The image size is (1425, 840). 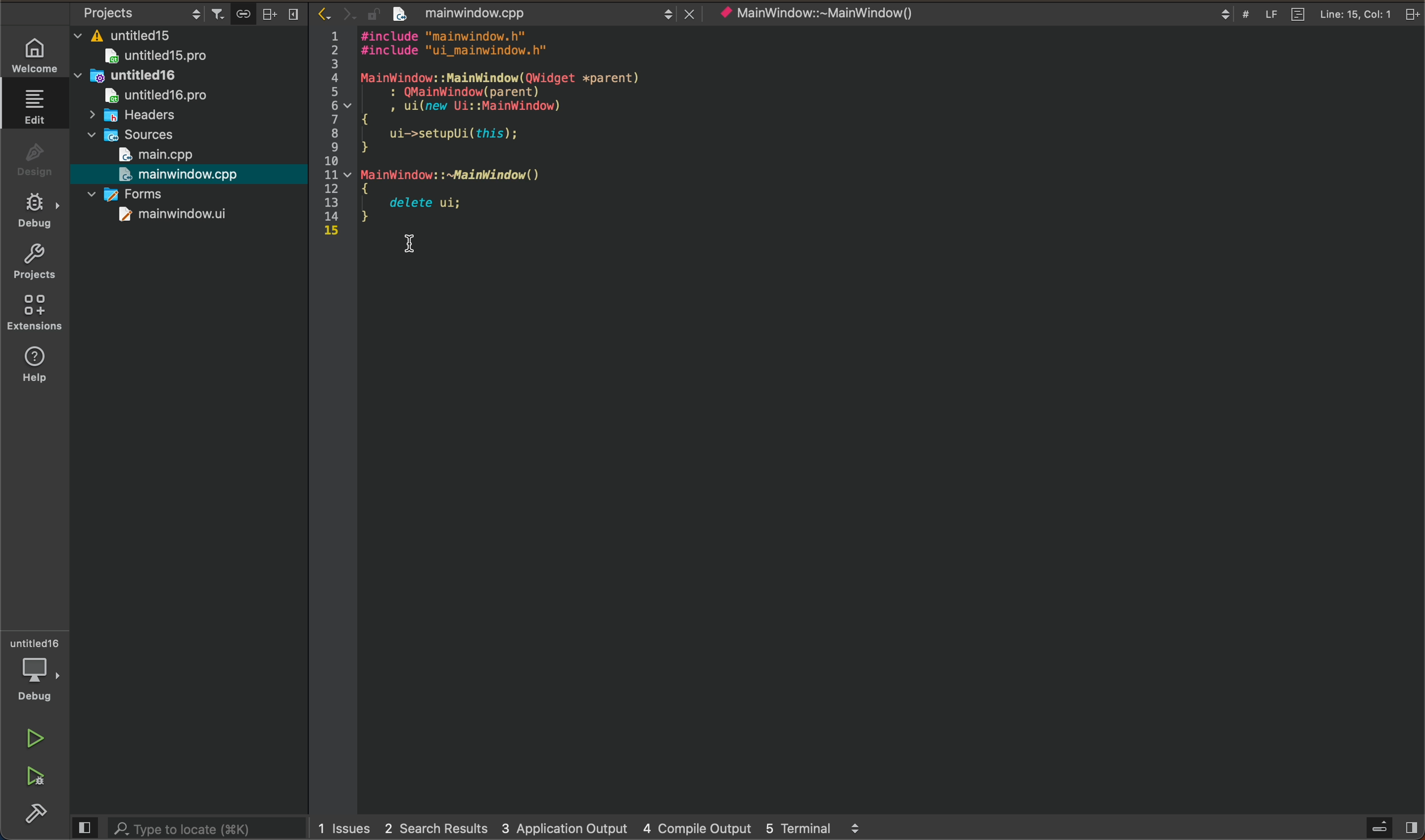 I want to click on forms, so click(x=175, y=198).